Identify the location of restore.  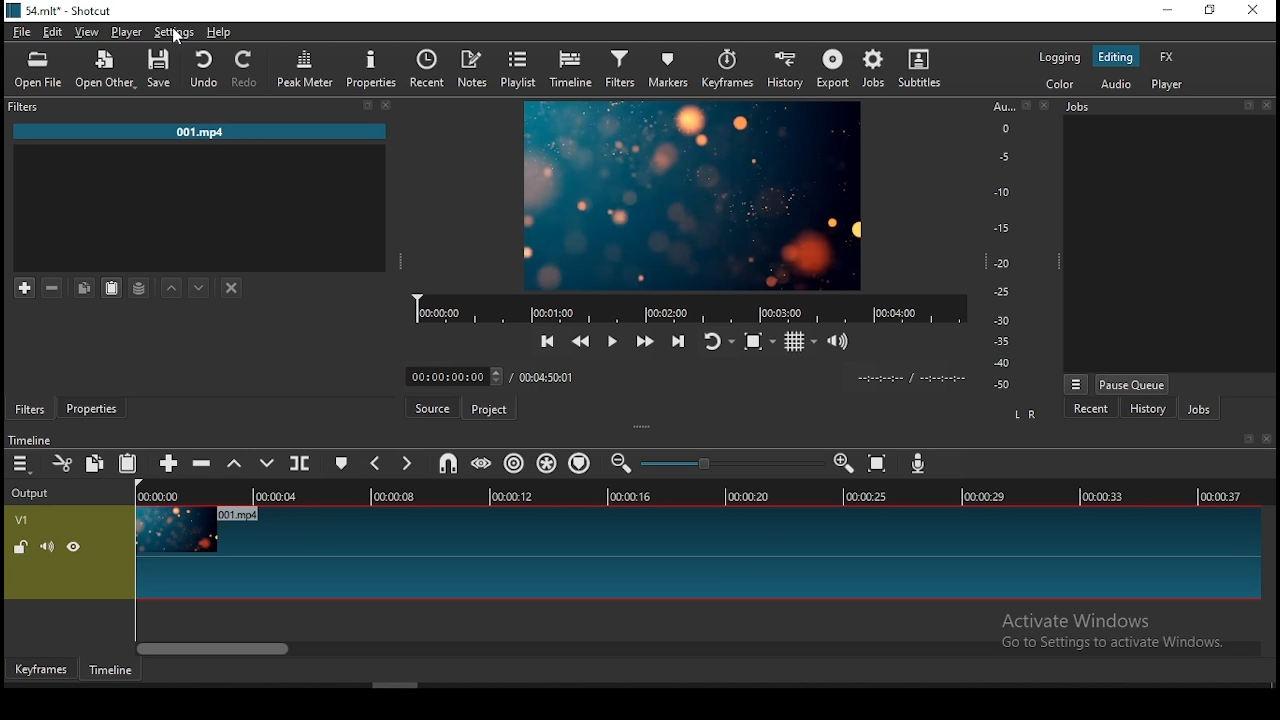
(1246, 440).